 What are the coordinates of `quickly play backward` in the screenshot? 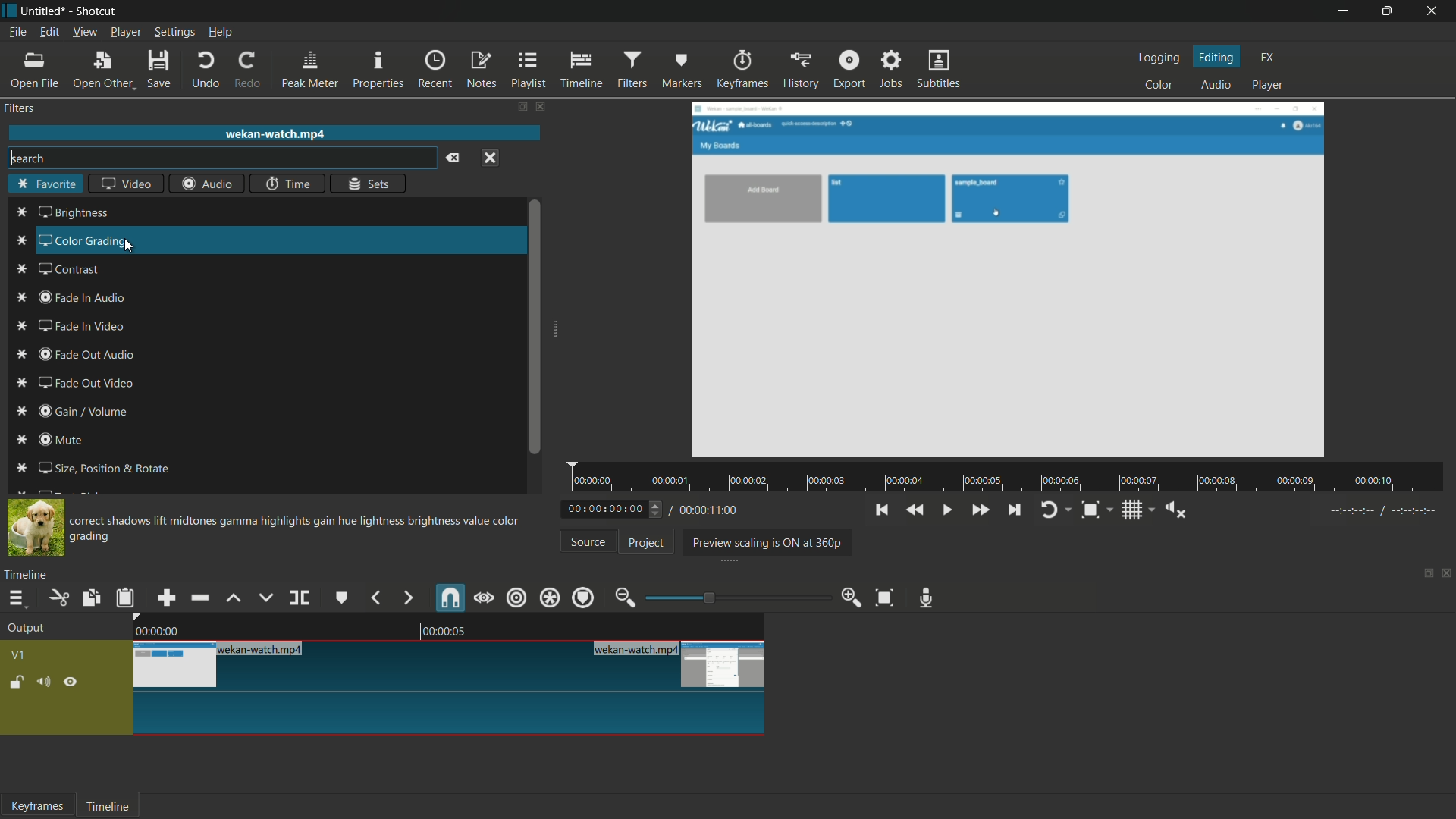 It's located at (914, 510).